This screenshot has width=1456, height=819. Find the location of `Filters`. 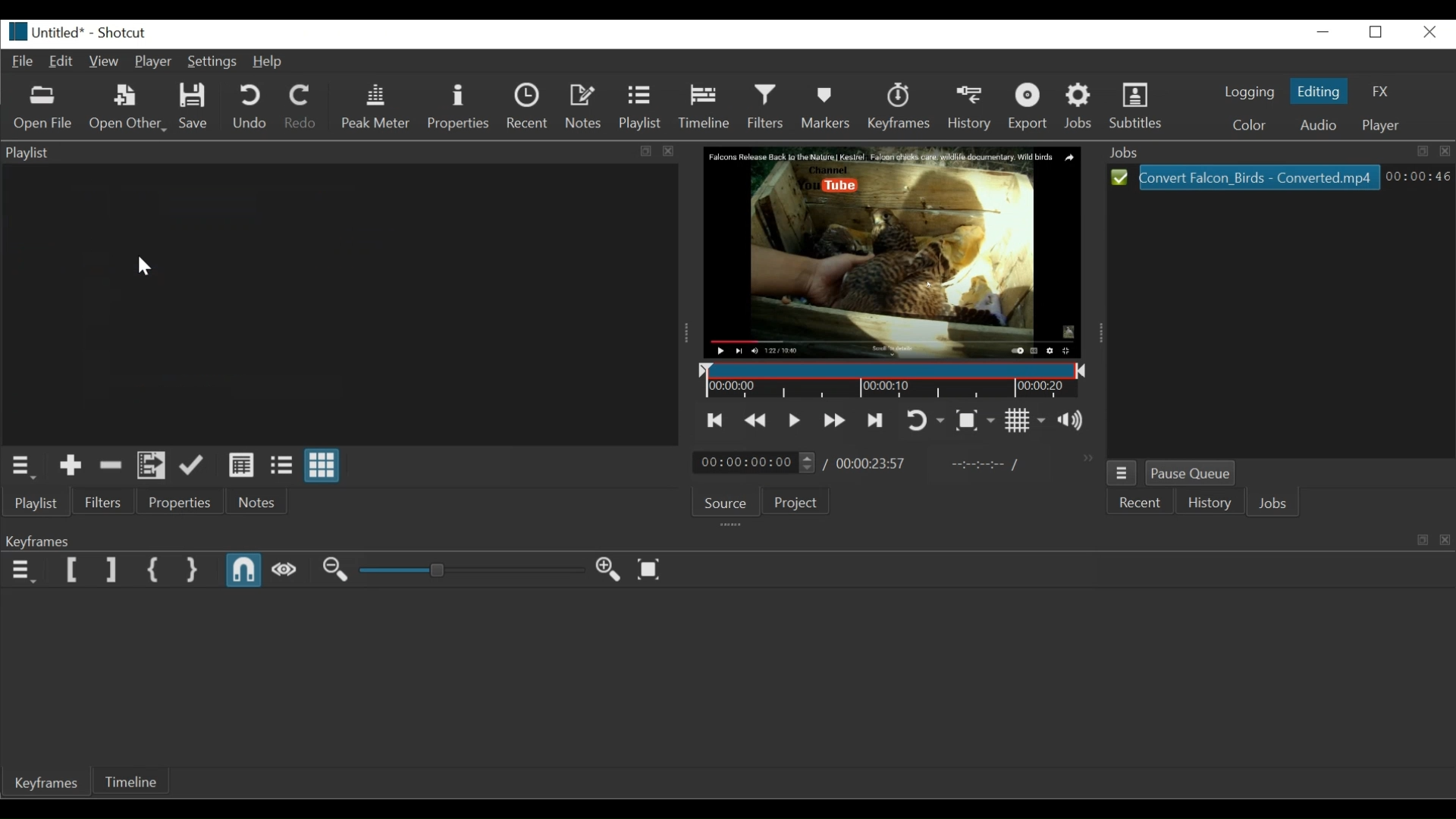

Filters is located at coordinates (768, 106).